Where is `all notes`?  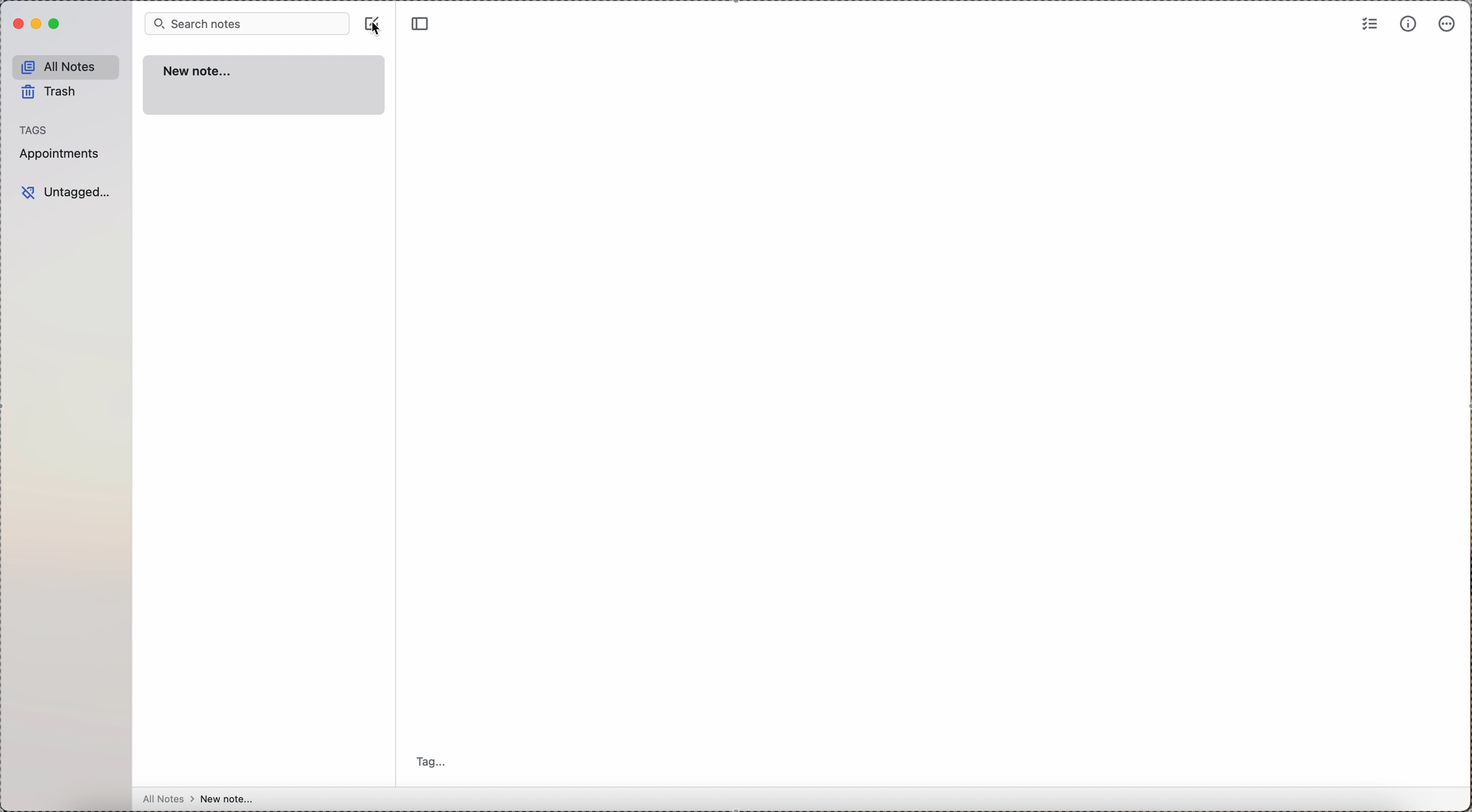 all notes is located at coordinates (66, 66).